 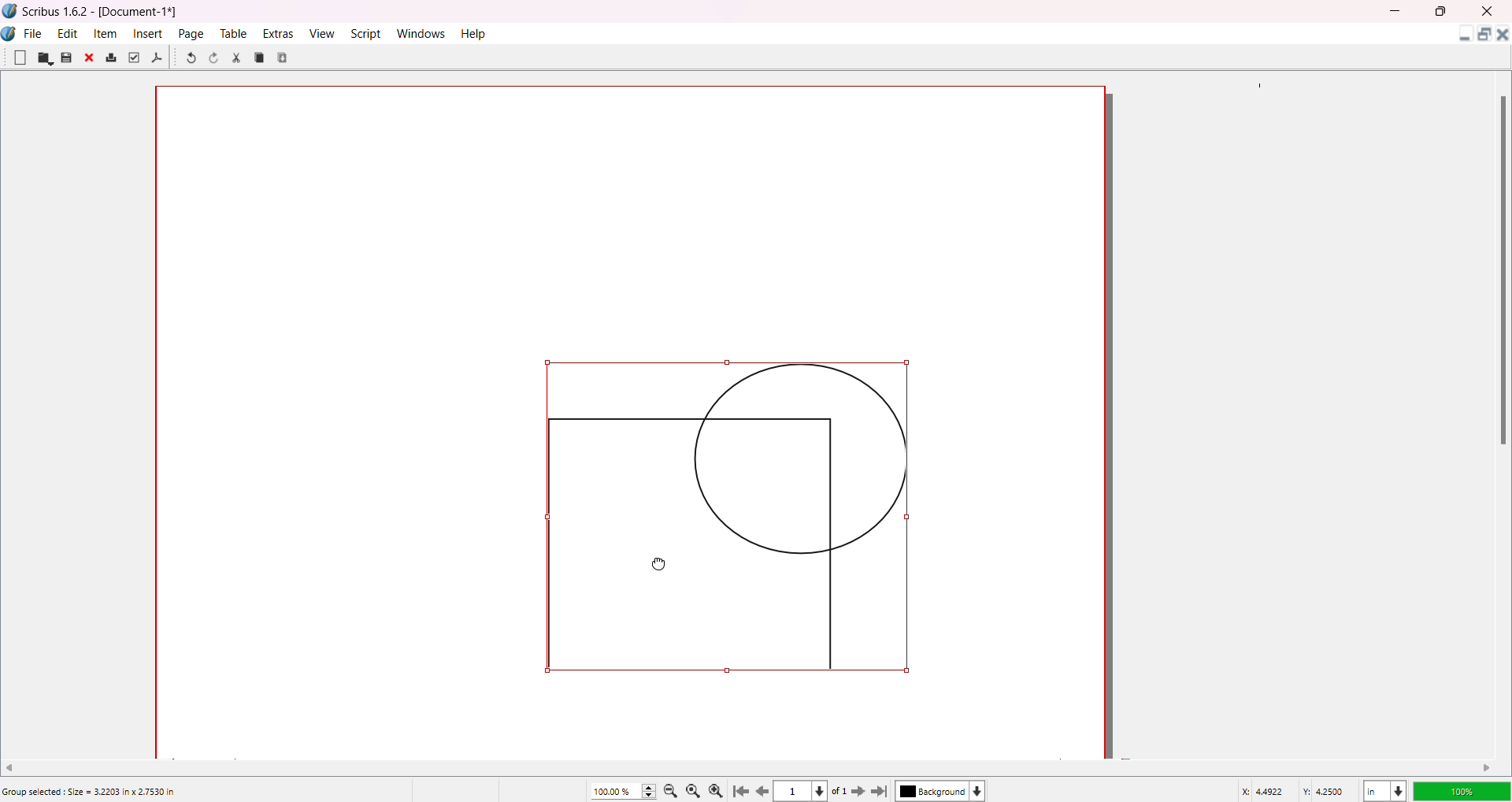 I want to click on Help, so click(x=475, y=33).